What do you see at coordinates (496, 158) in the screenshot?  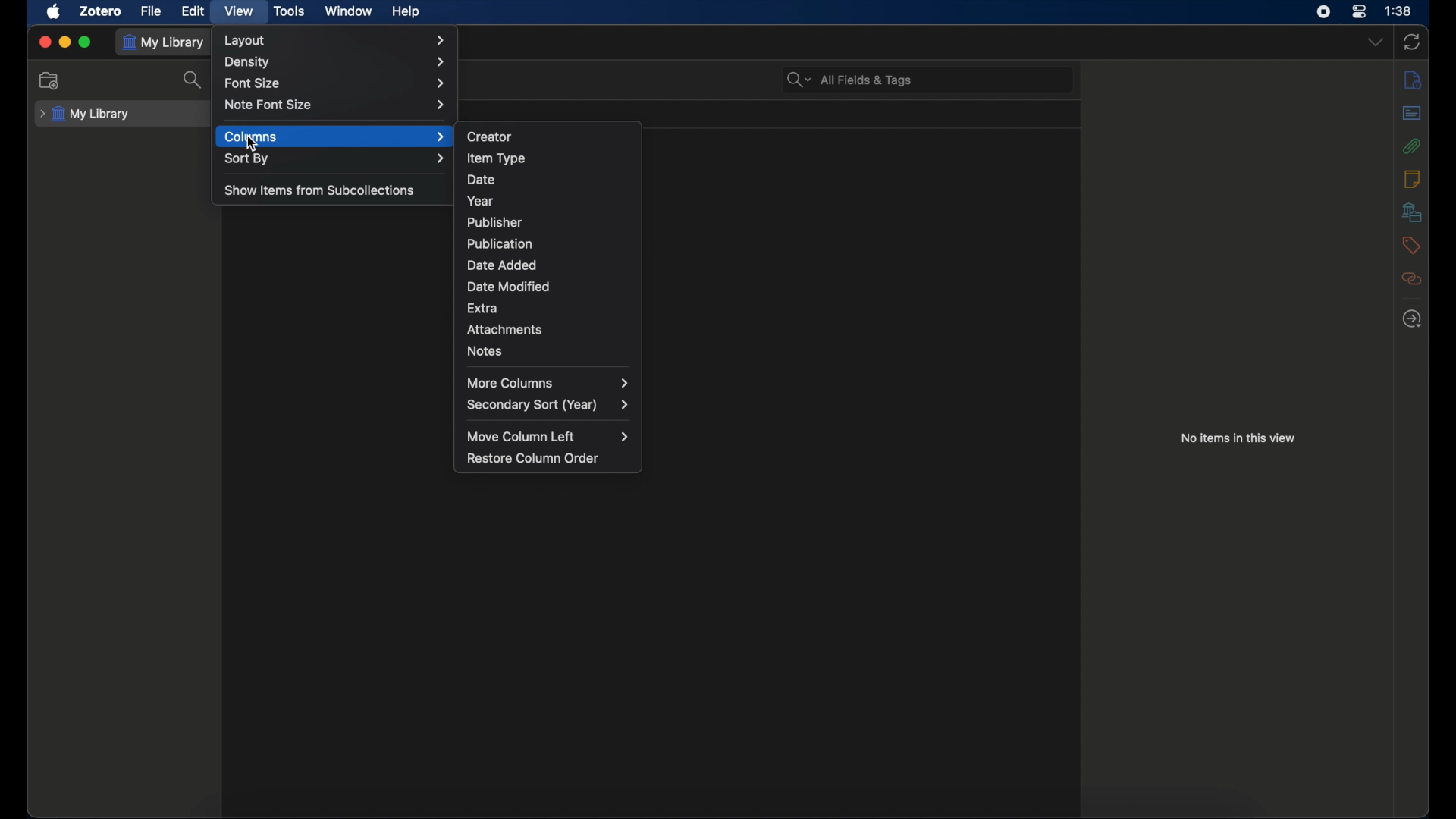 I see `item type` at bounding box center [496, 158].